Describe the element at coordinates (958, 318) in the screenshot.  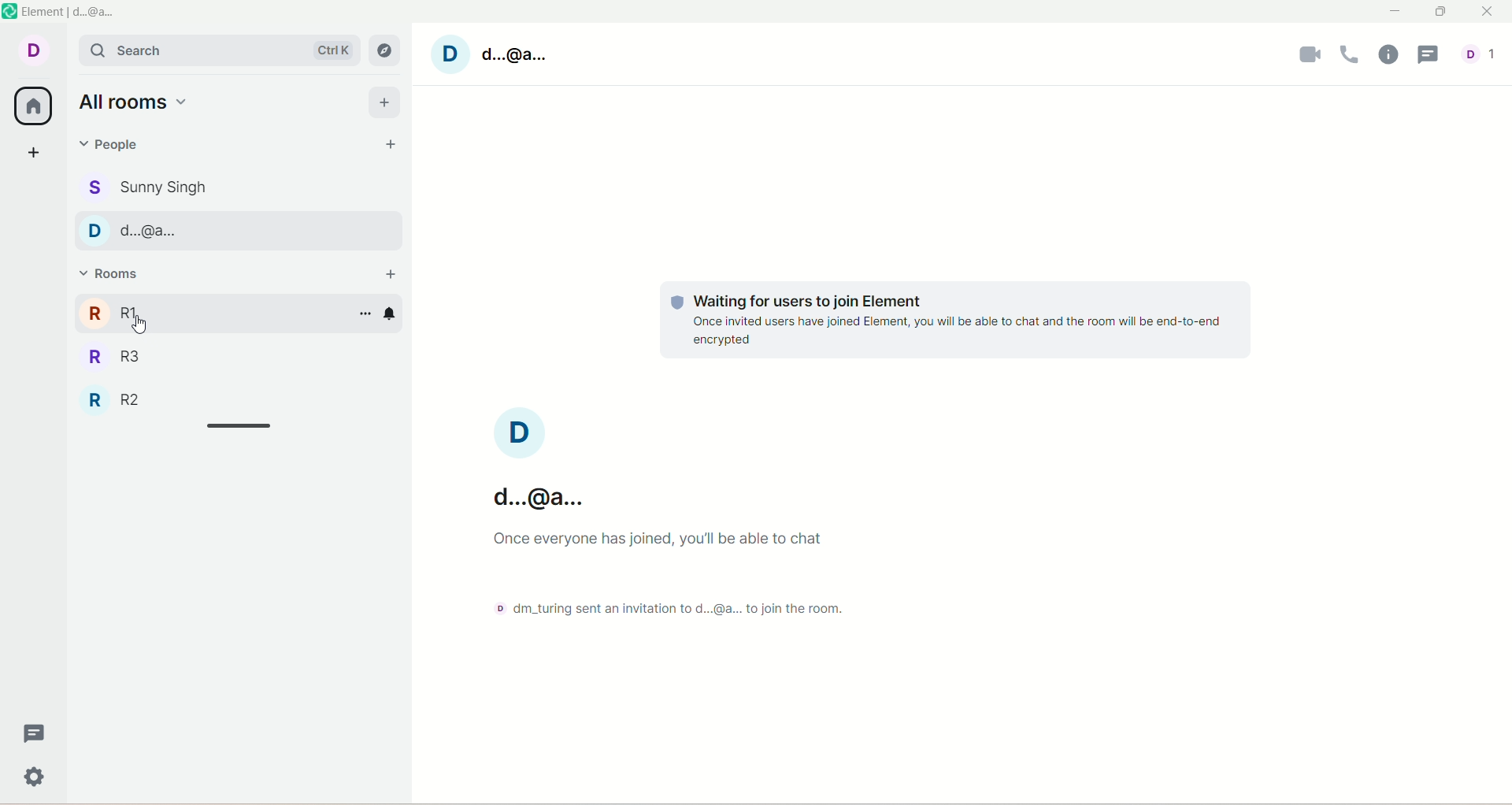
I see `text` at that location.